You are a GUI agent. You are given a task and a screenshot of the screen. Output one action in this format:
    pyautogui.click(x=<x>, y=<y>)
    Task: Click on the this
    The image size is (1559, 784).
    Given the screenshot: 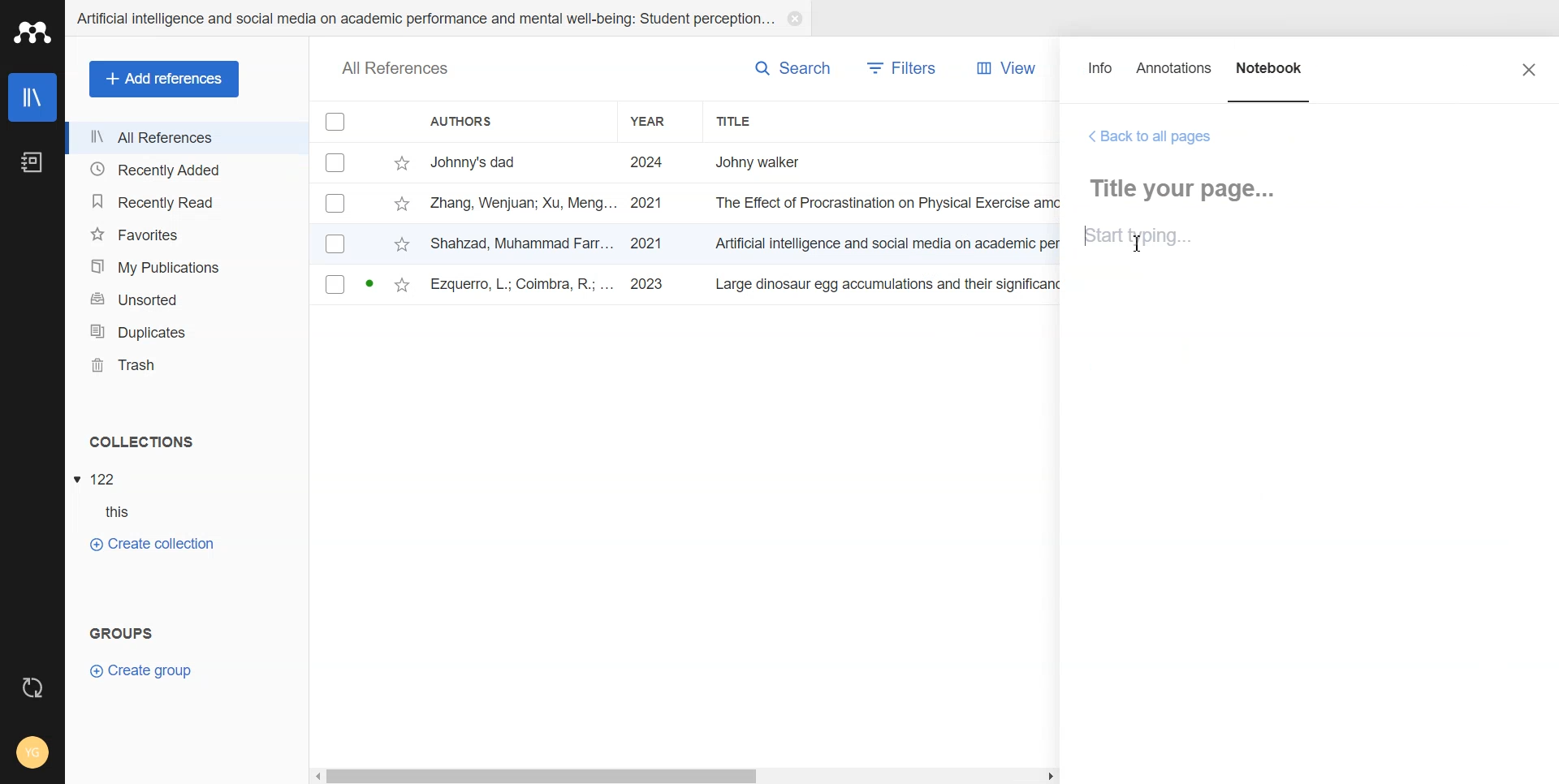 What is the action you would take?
    pyautogui.click(x=127, y=512)
    